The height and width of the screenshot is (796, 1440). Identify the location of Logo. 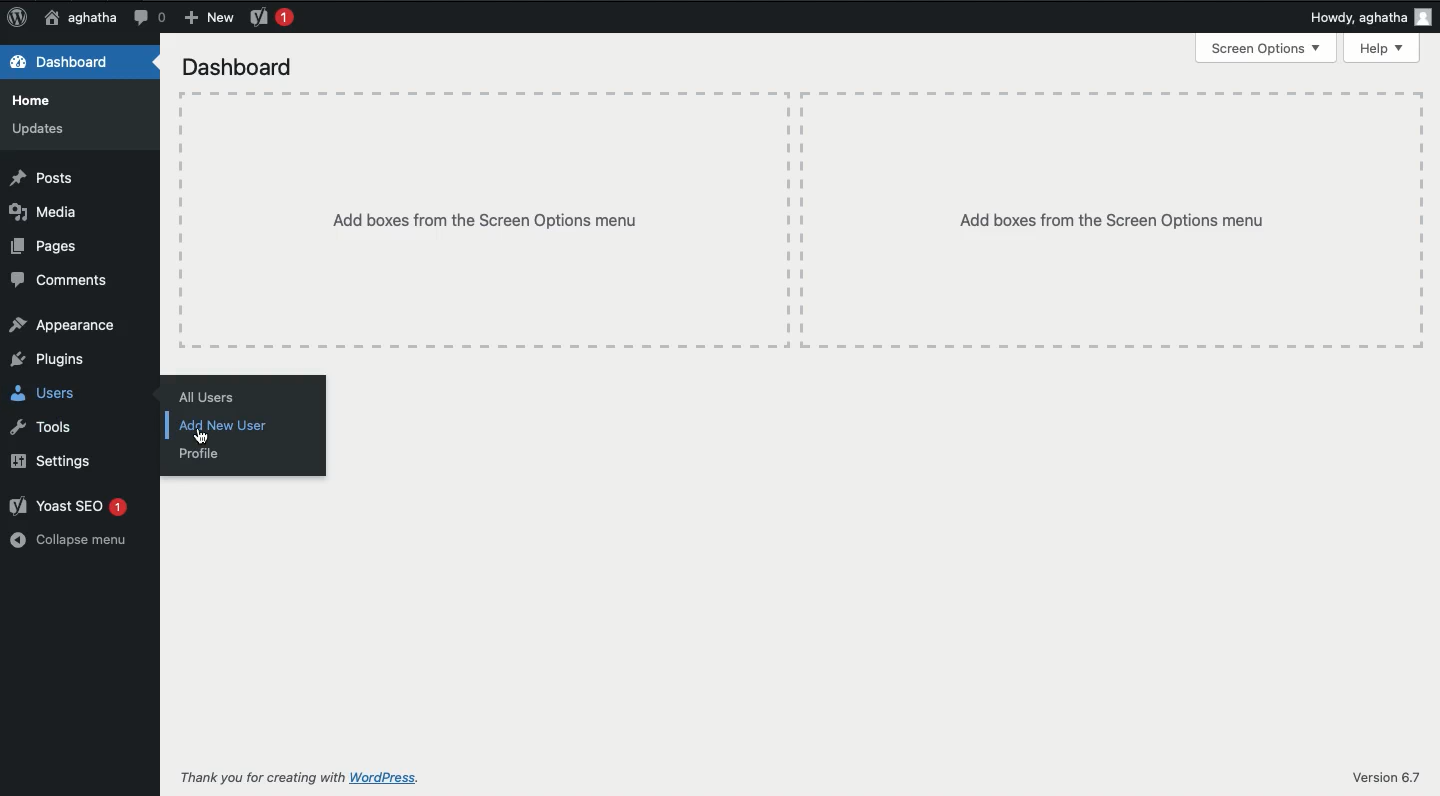
(17, 18).